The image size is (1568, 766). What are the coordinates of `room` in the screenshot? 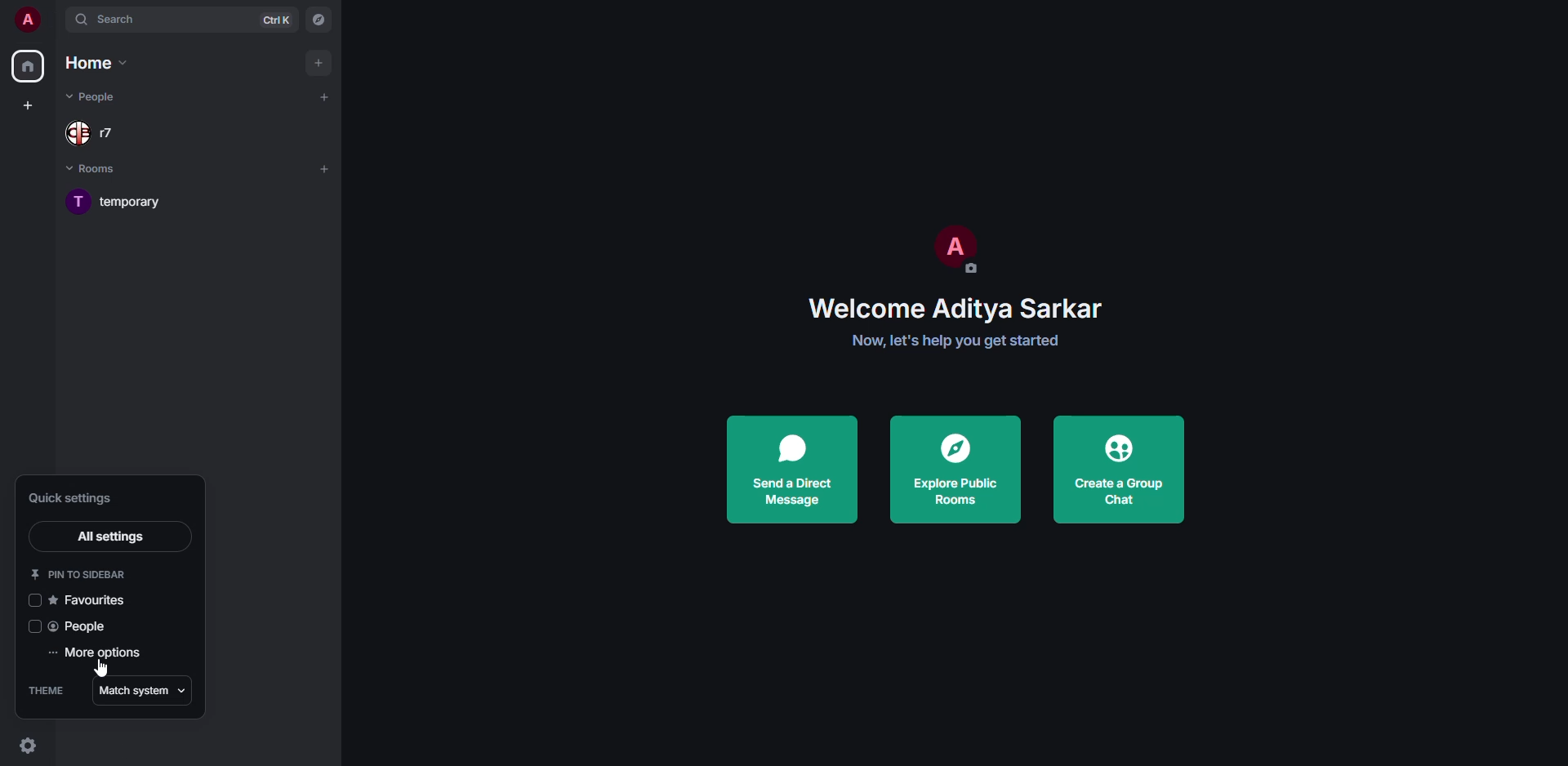 It's located at (120, 202).